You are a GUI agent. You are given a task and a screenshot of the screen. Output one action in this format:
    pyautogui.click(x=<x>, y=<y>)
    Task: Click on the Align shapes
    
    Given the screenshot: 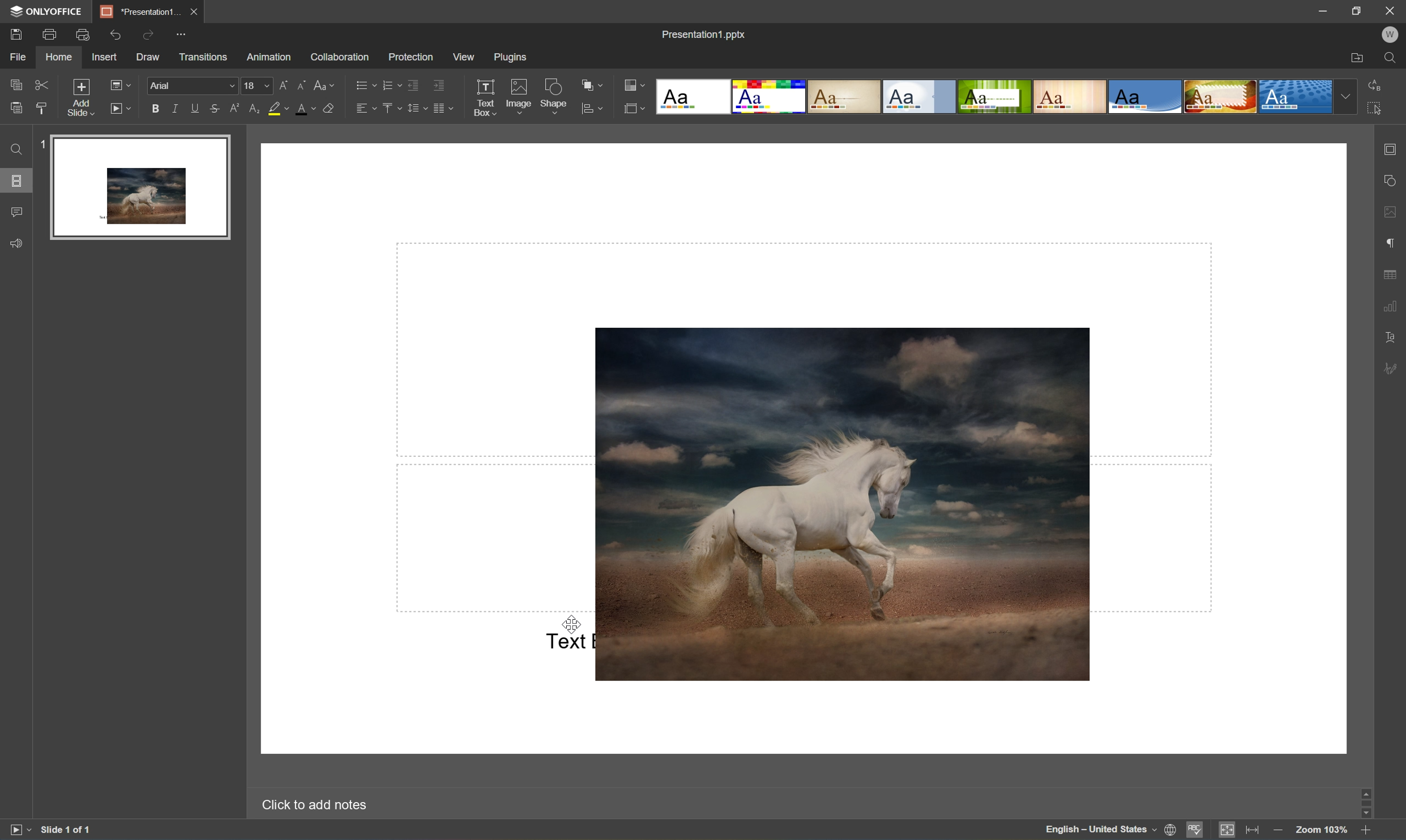 What is the action you would take?
    pyautogui.click(x=591, y=109)
    